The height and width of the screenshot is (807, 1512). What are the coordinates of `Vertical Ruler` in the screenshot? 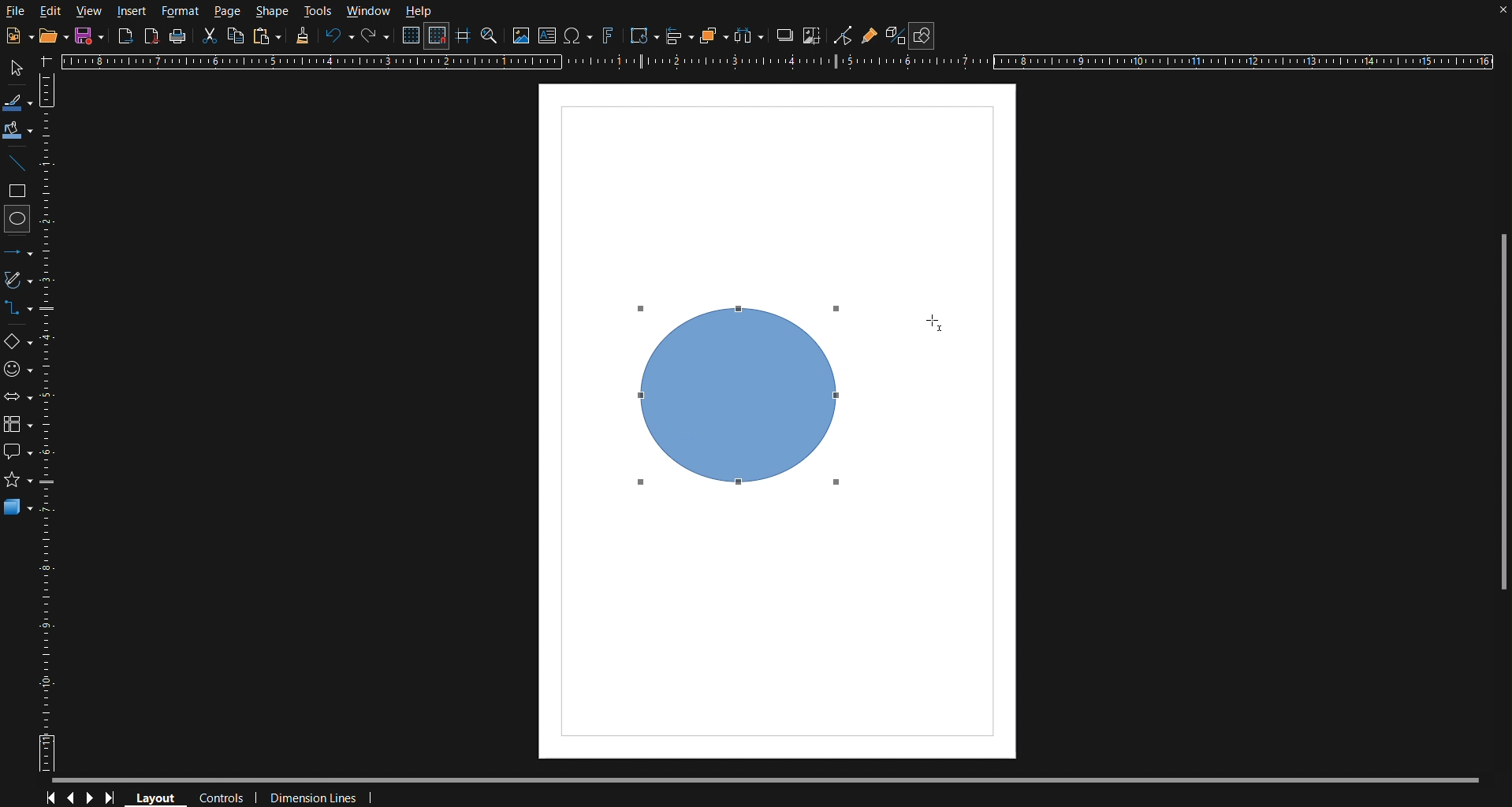 It's located at (52, 425).